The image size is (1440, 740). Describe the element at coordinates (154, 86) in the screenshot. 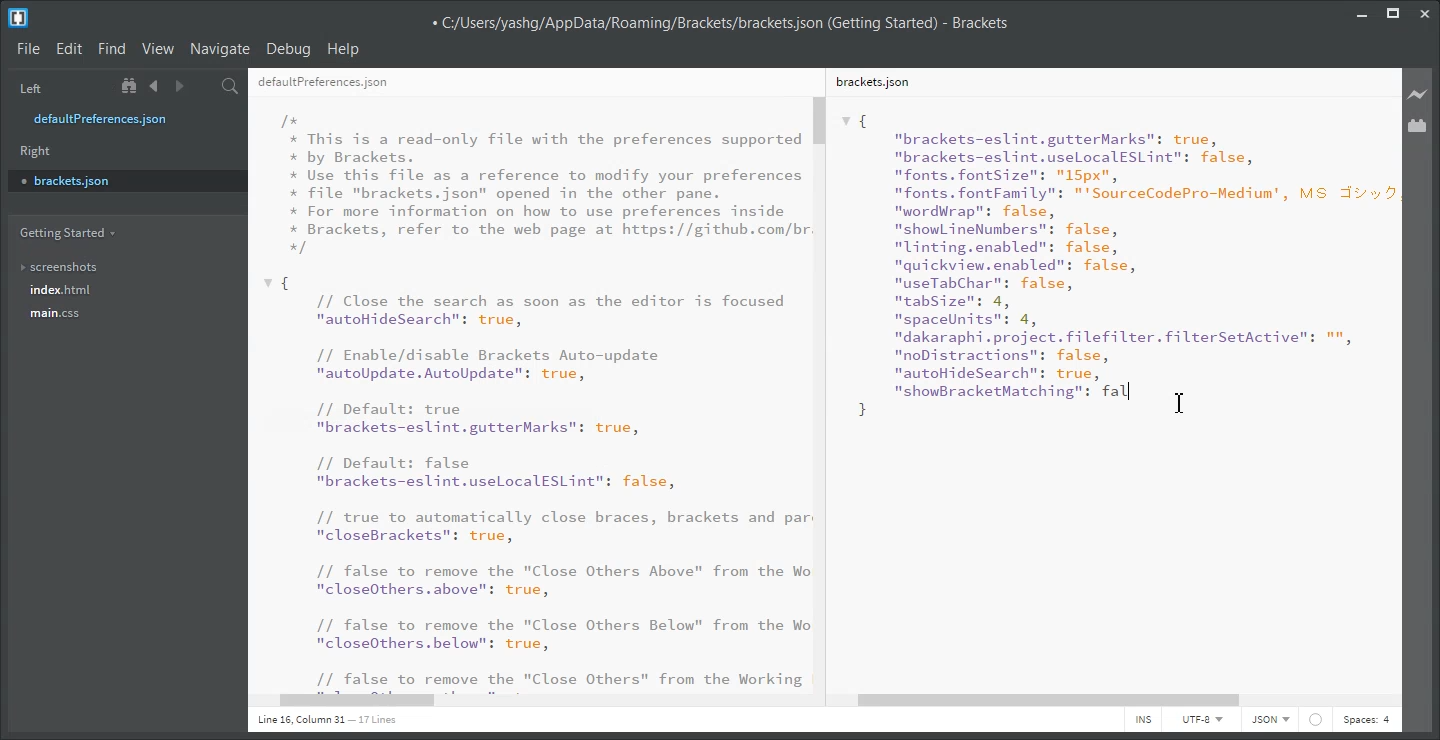

I see `Navigate Backward` at that location.